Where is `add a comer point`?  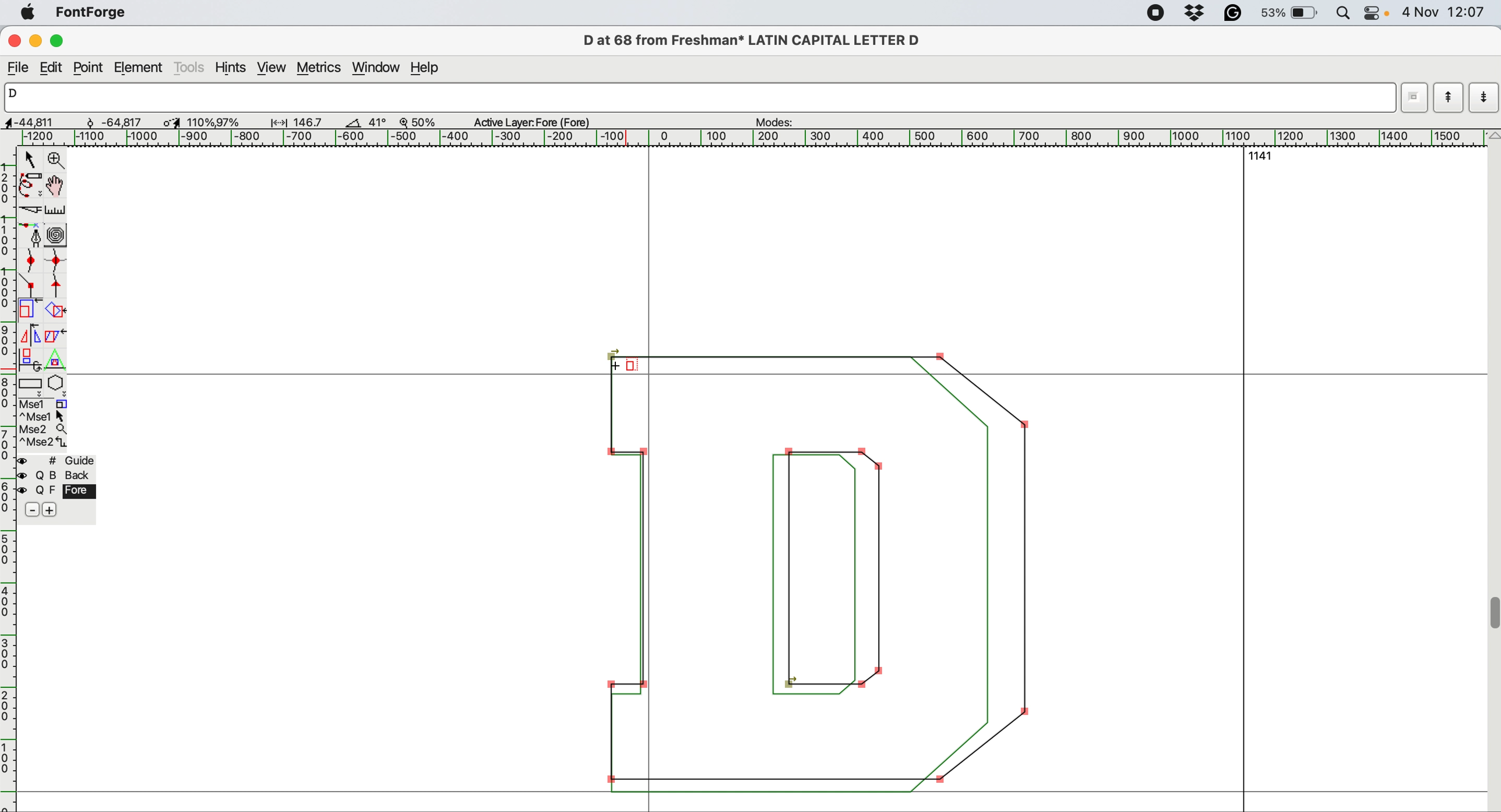
add a comer point is located at coordinates (30, 286).